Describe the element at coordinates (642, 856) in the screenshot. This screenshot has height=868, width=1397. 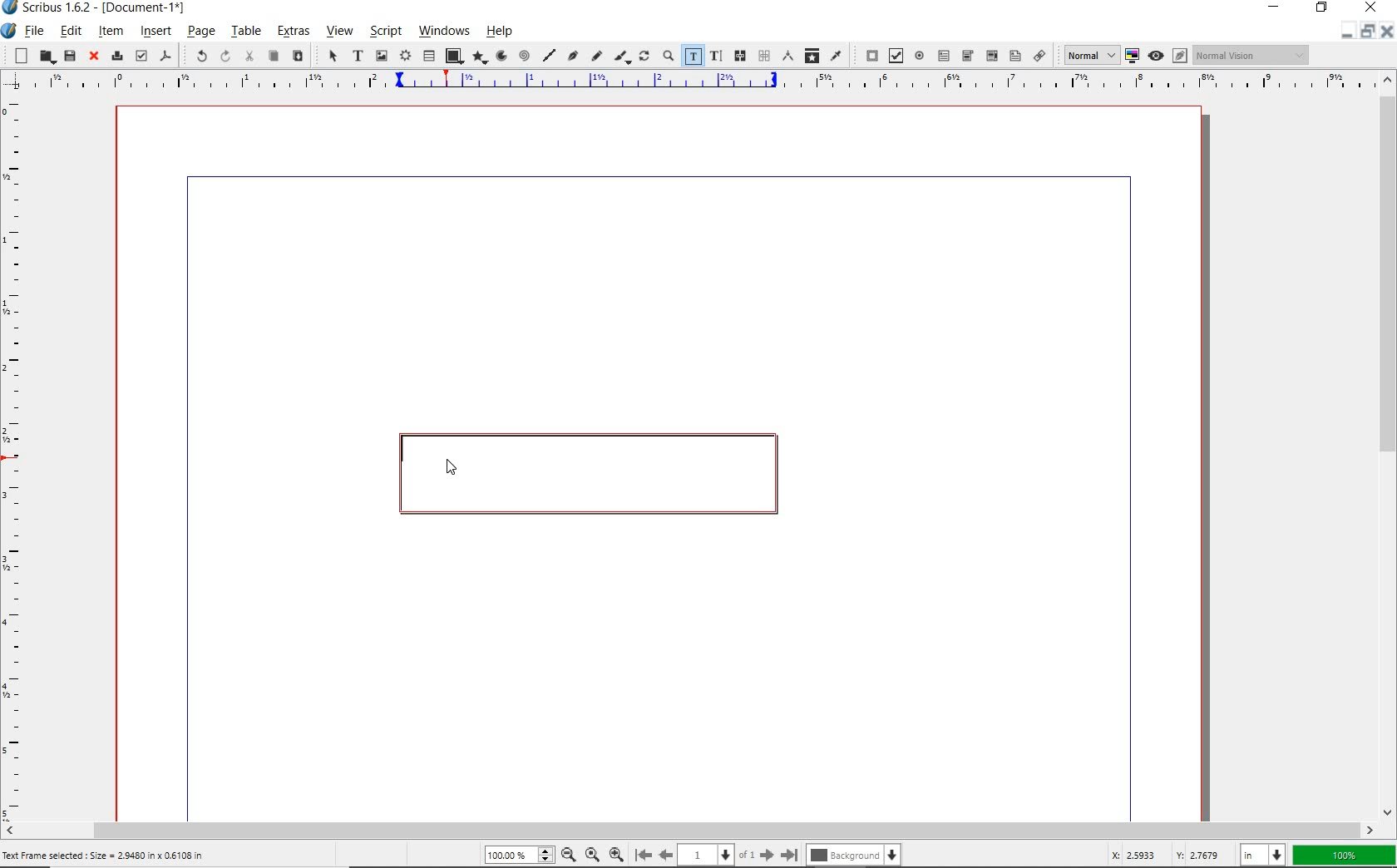
I see `First page` at that location.